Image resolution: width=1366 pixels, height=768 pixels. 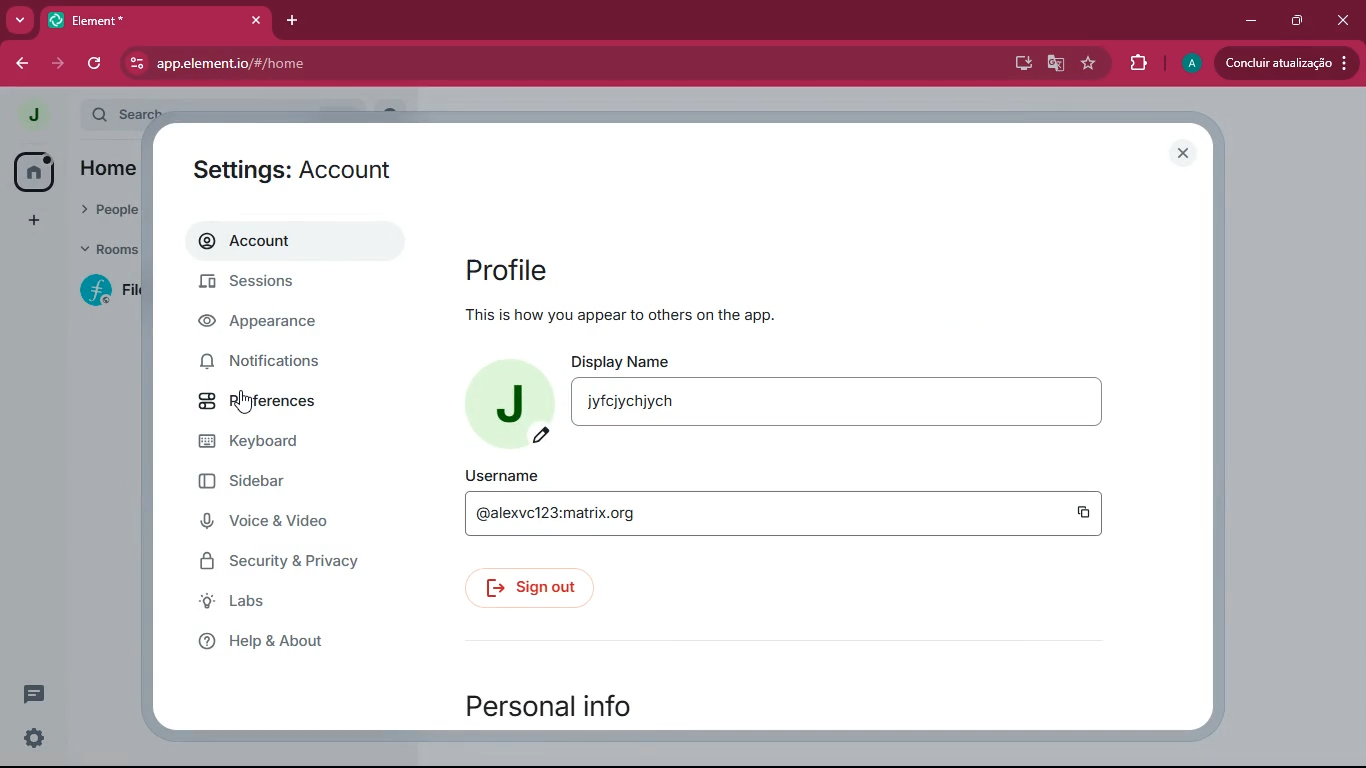 What do you see at coordinates (34, 738) in the screenshot?
I see `quick settings` at bounding box center [34, 738].